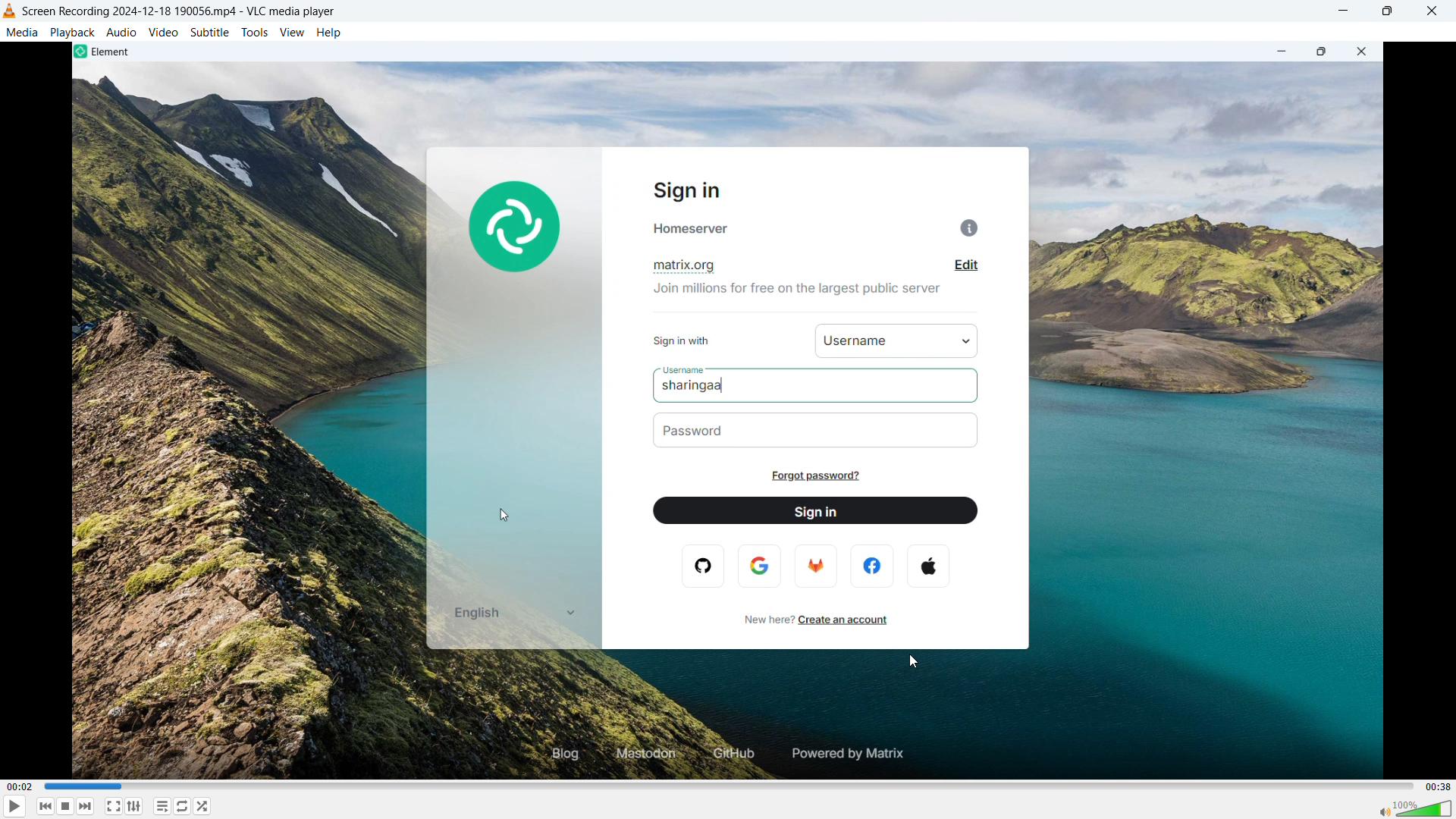 This screenshot has width=1456, height=819. I want to click on Full screen , so click(114, 805).